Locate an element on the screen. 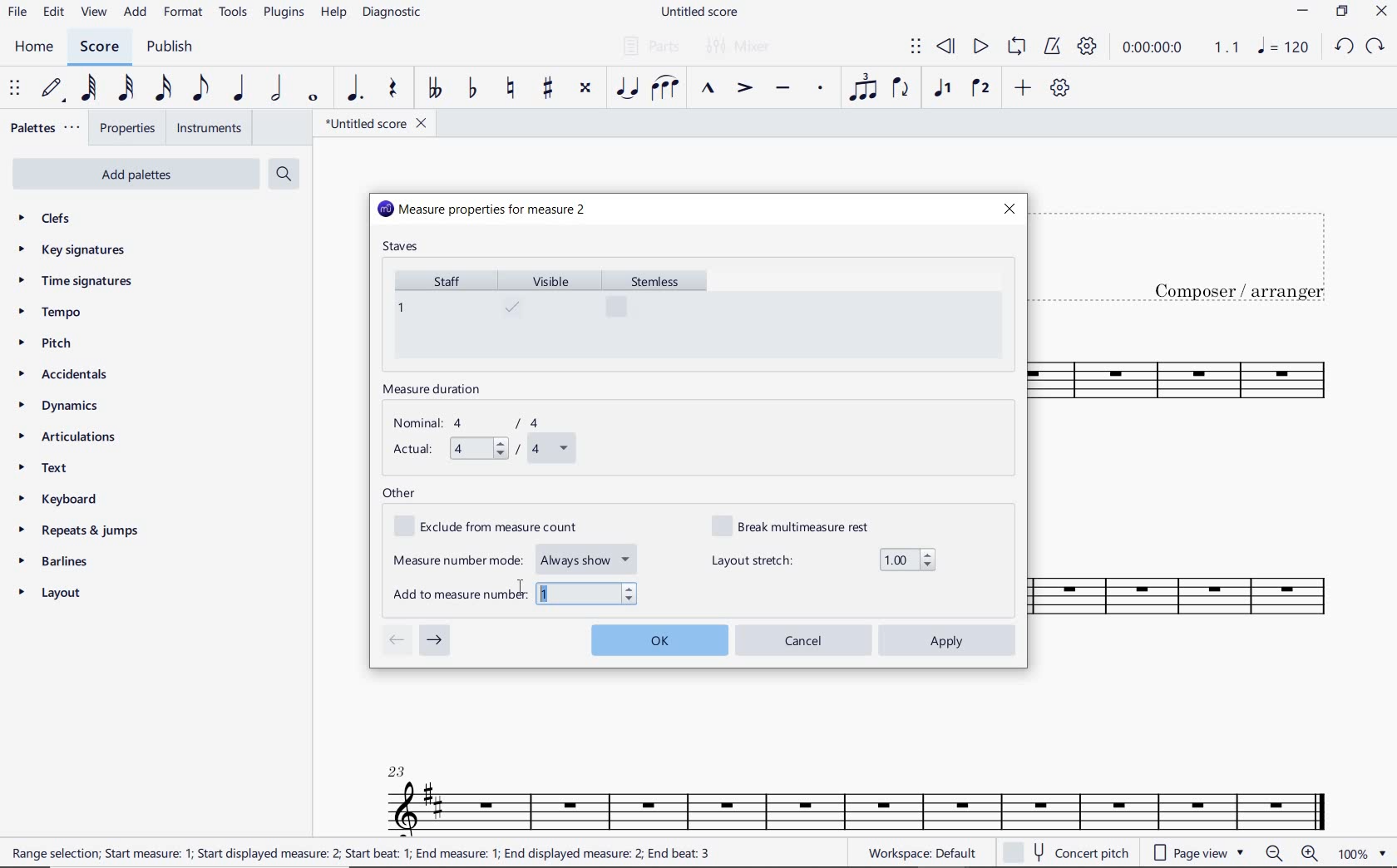 The image size is (1397, 868). ADD is located at coordinates (136, 13).